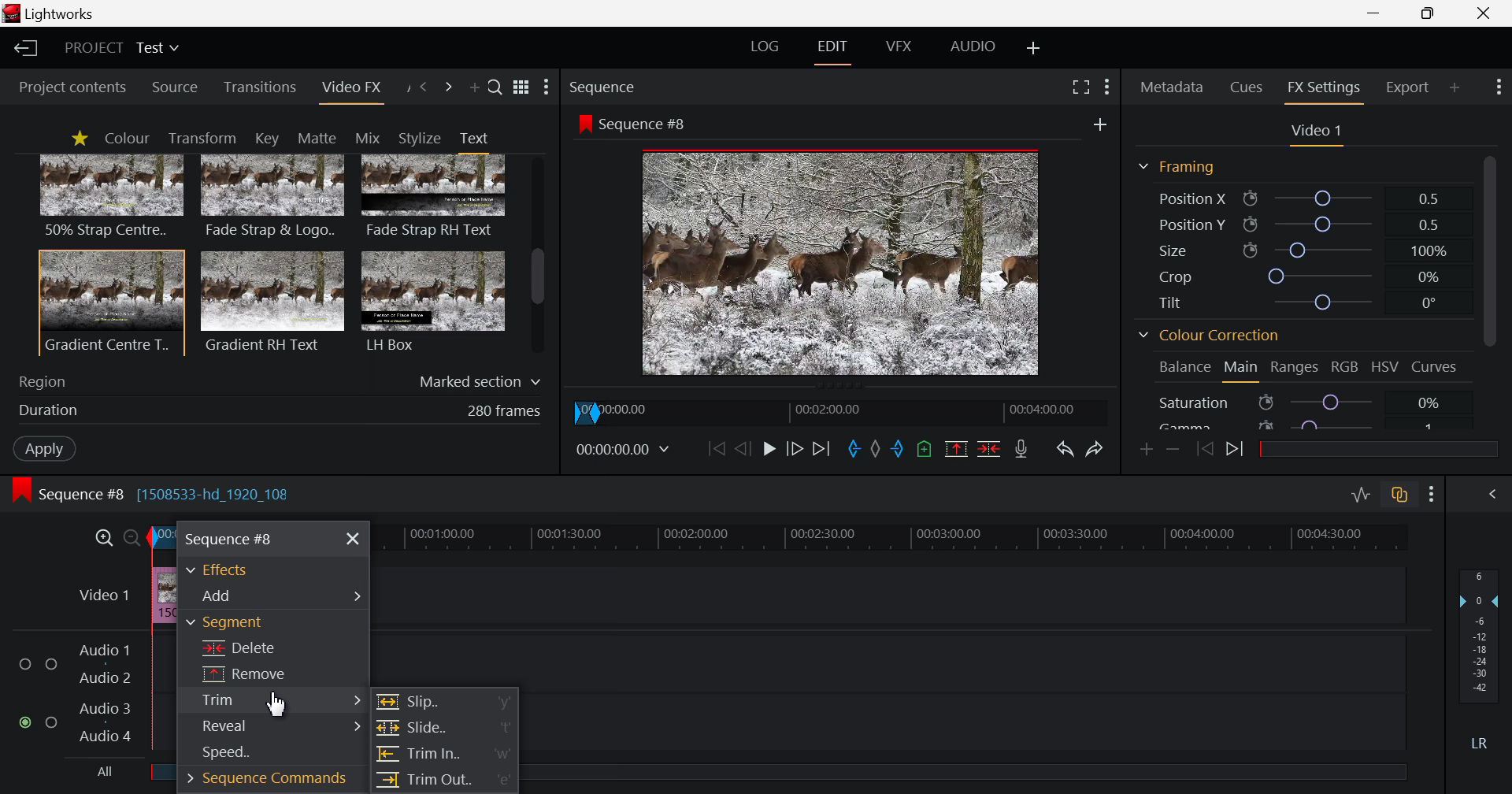  Describe the element at coordinates (836, 48) in the screenshot. I see `EDIT Layout` at that location.